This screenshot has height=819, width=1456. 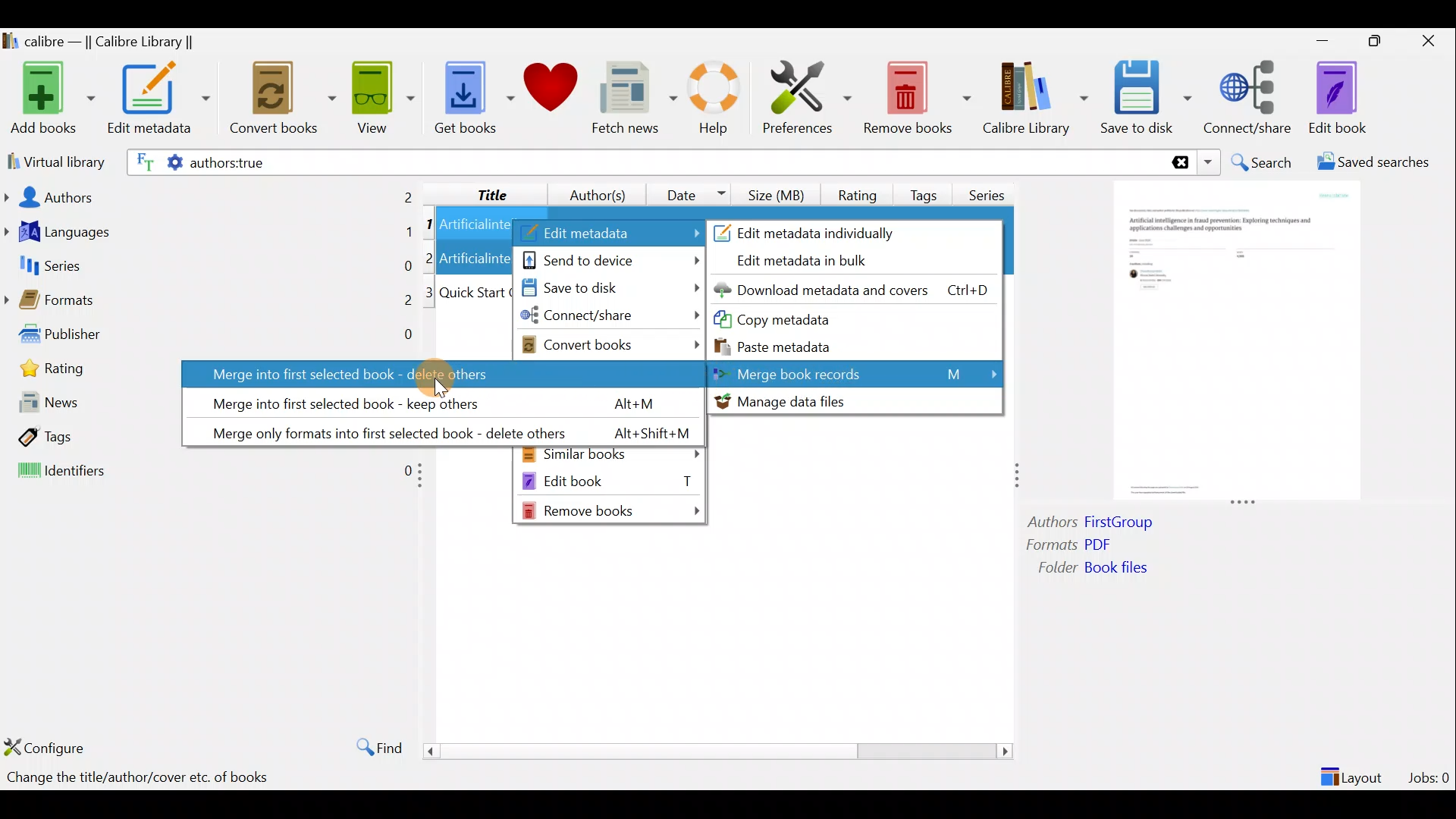 What do you see at coordinates (1130, 570) in the screenshot?
I see `Folder: Book files` at bounding box center [1130, 570].